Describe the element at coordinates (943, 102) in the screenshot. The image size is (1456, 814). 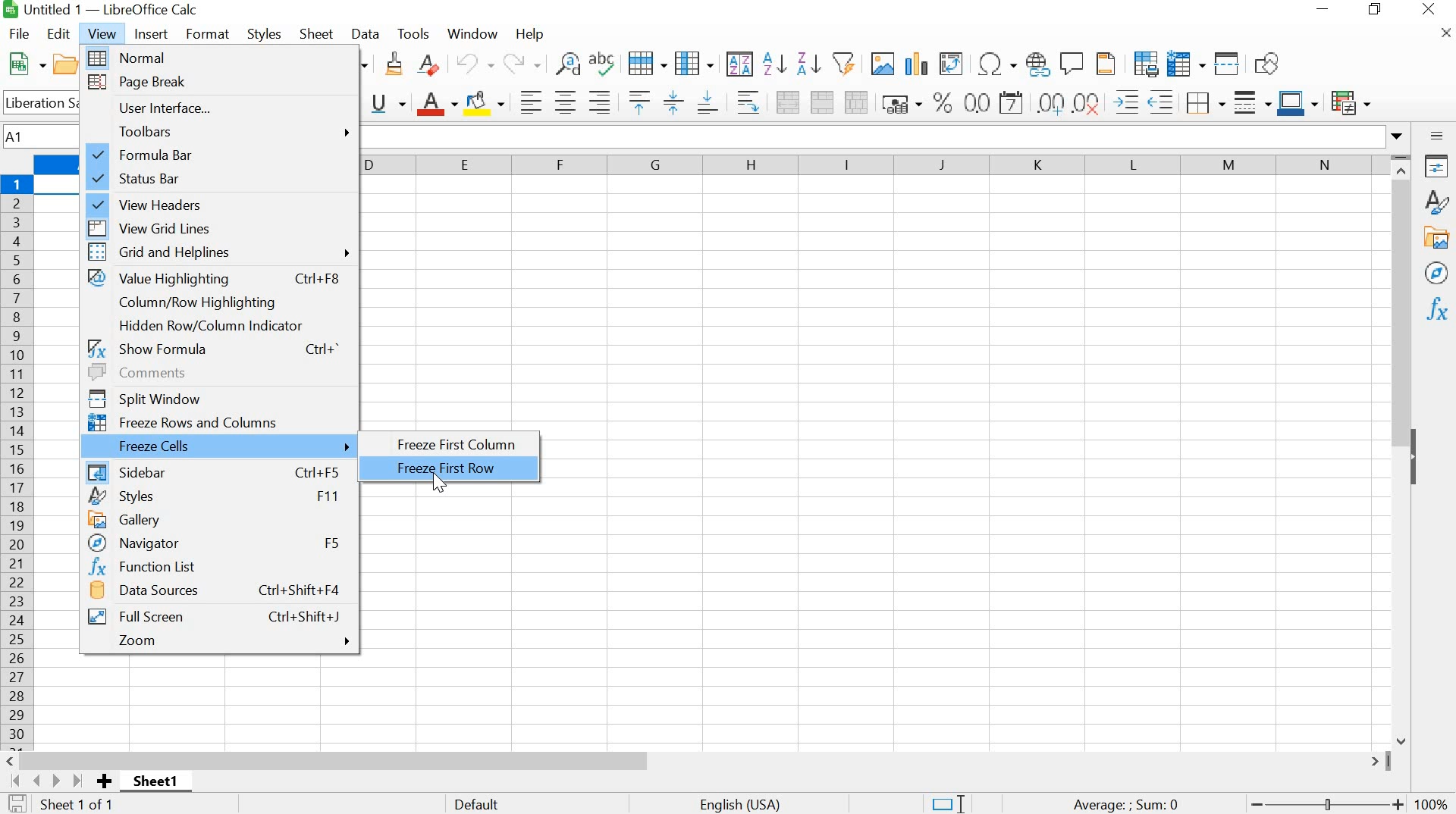
I see `FORMAT AS PERCENT` at that location.